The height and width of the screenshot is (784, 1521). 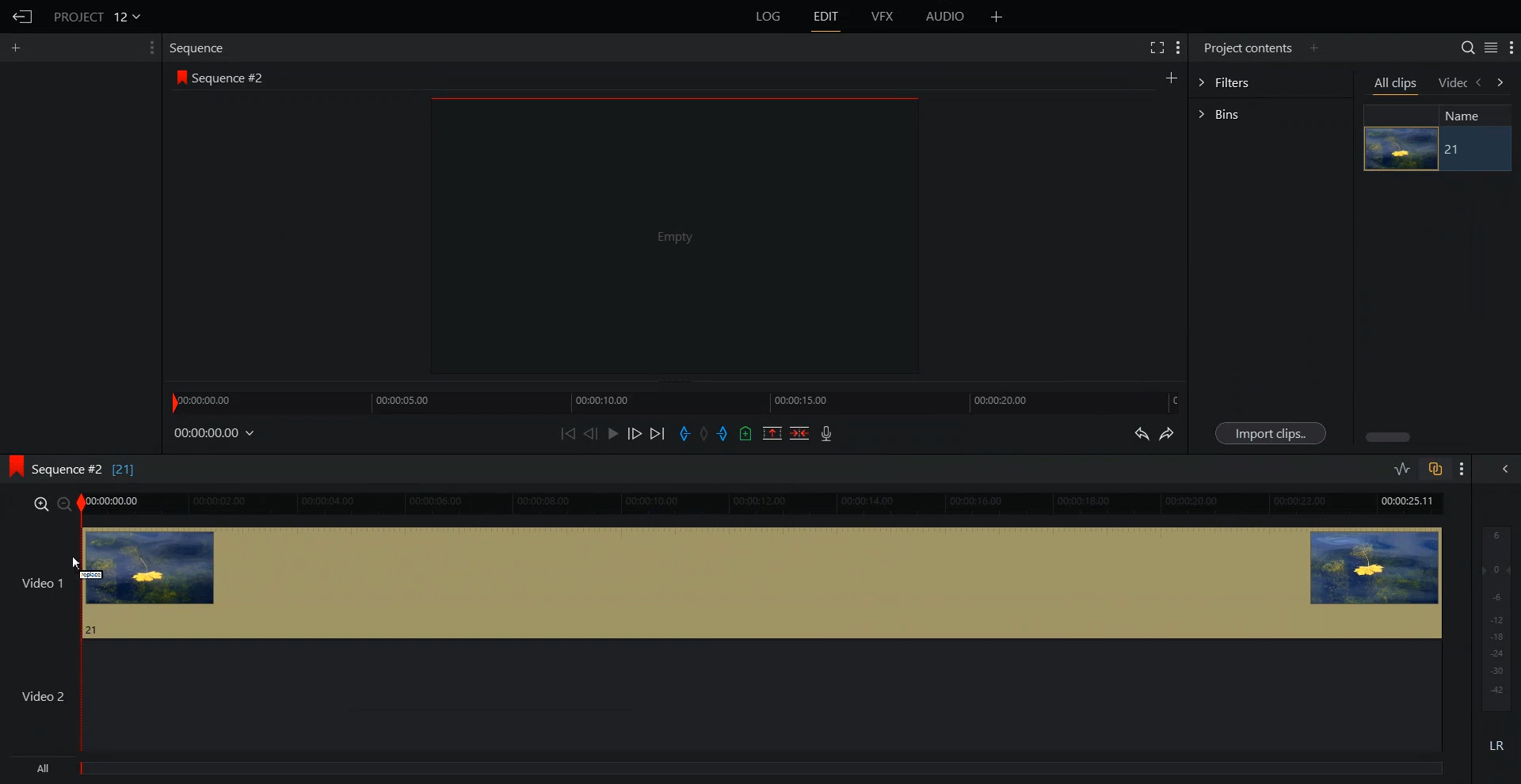 What do you see at coordinates (1497, 742) in the screenshot?
I see `LR` at bounding box center [1497, 742].